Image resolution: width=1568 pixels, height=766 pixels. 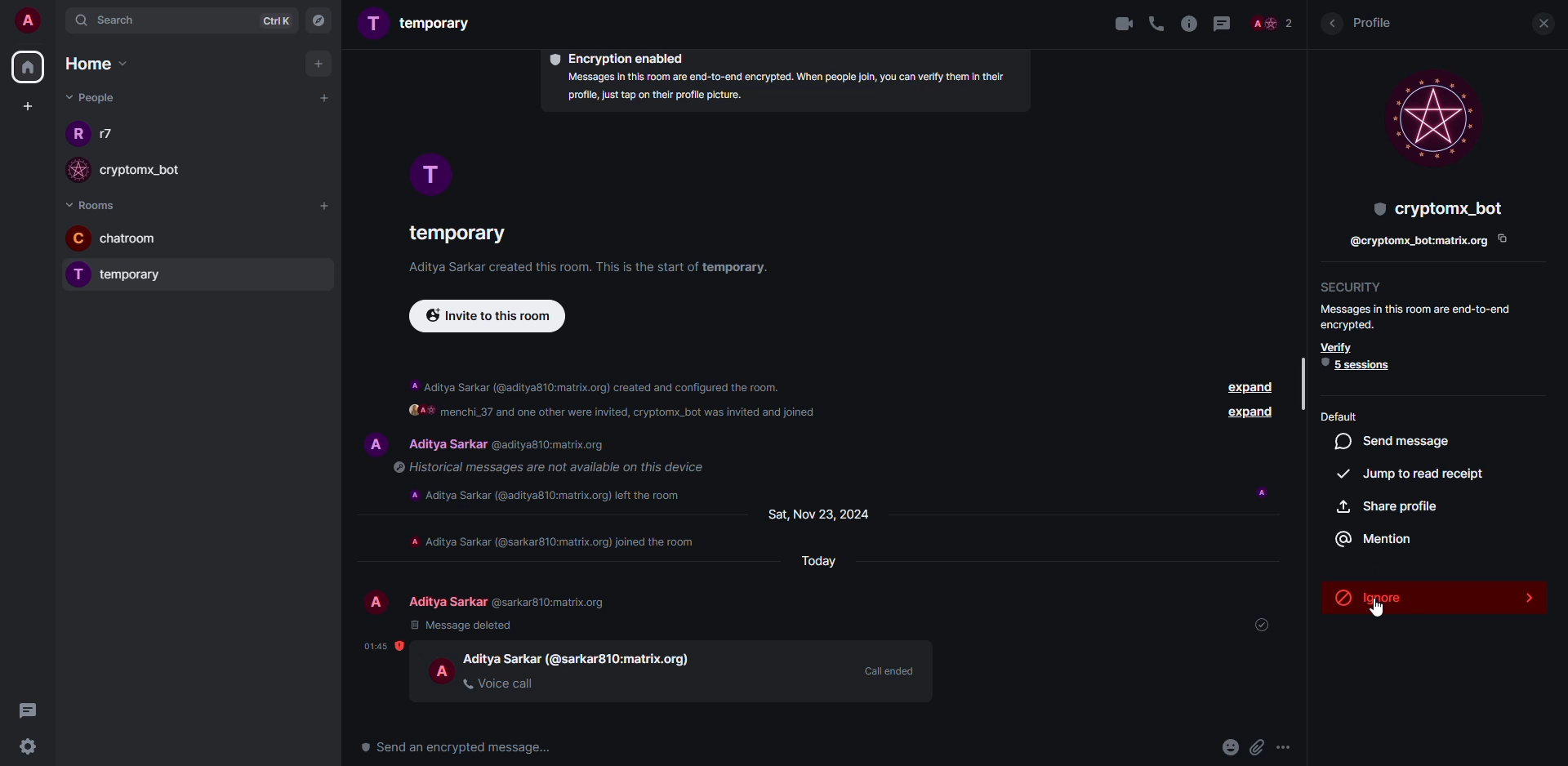 I want to click on info, so click(x=595, y=268).